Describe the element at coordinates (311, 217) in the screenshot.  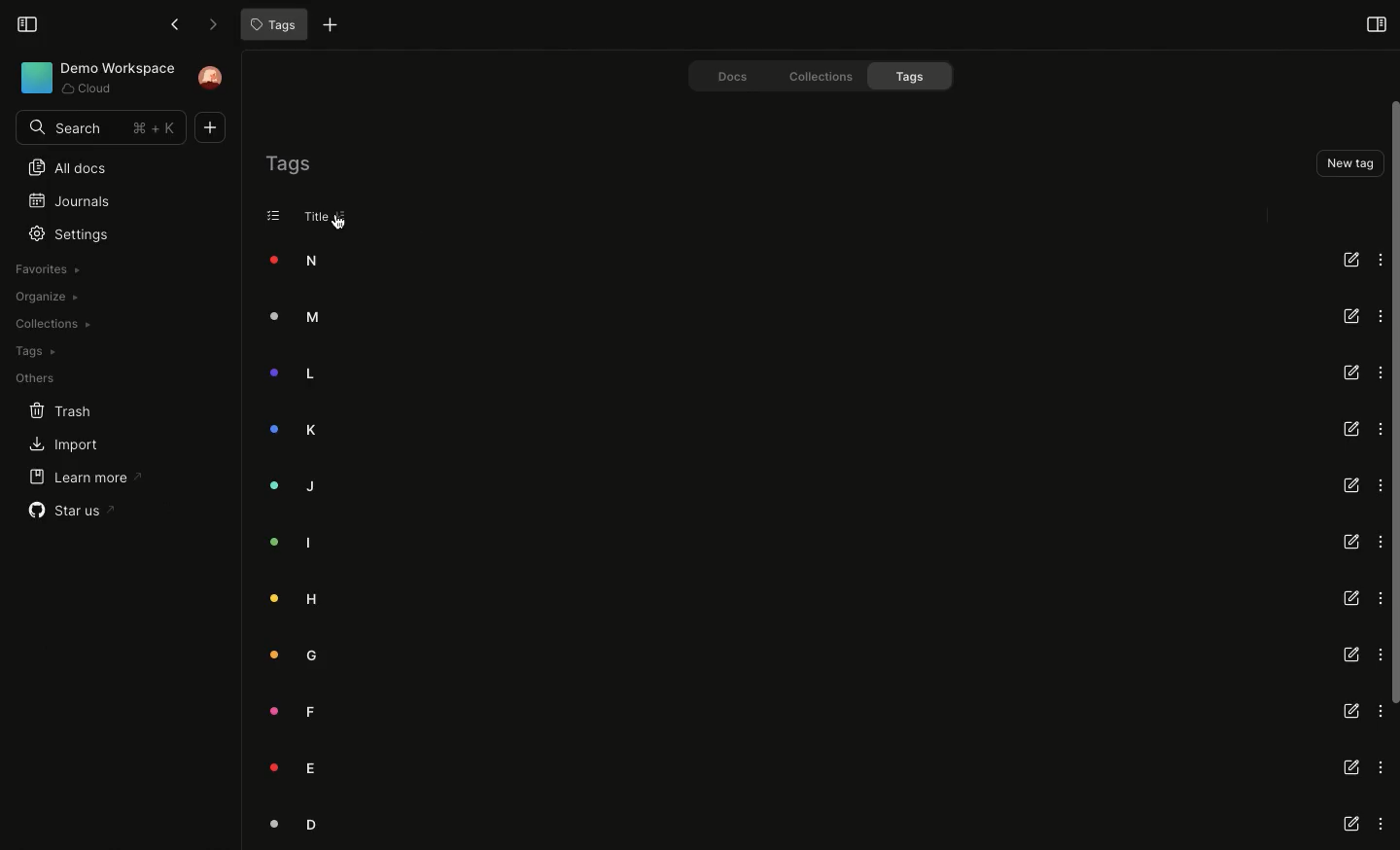
I see `Title` at that location.